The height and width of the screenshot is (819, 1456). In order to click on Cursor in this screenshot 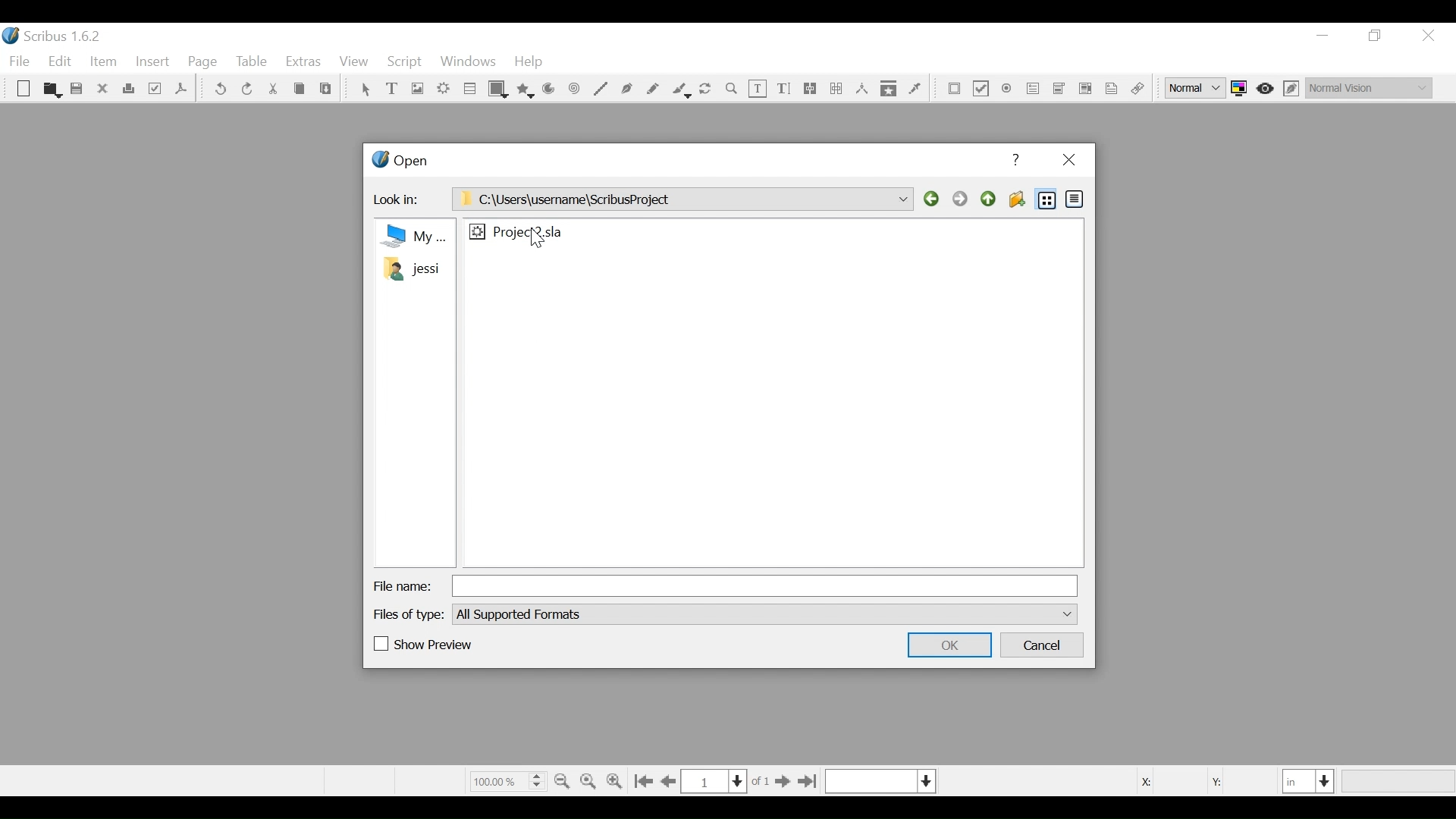, I will do `click(538, 238)`.